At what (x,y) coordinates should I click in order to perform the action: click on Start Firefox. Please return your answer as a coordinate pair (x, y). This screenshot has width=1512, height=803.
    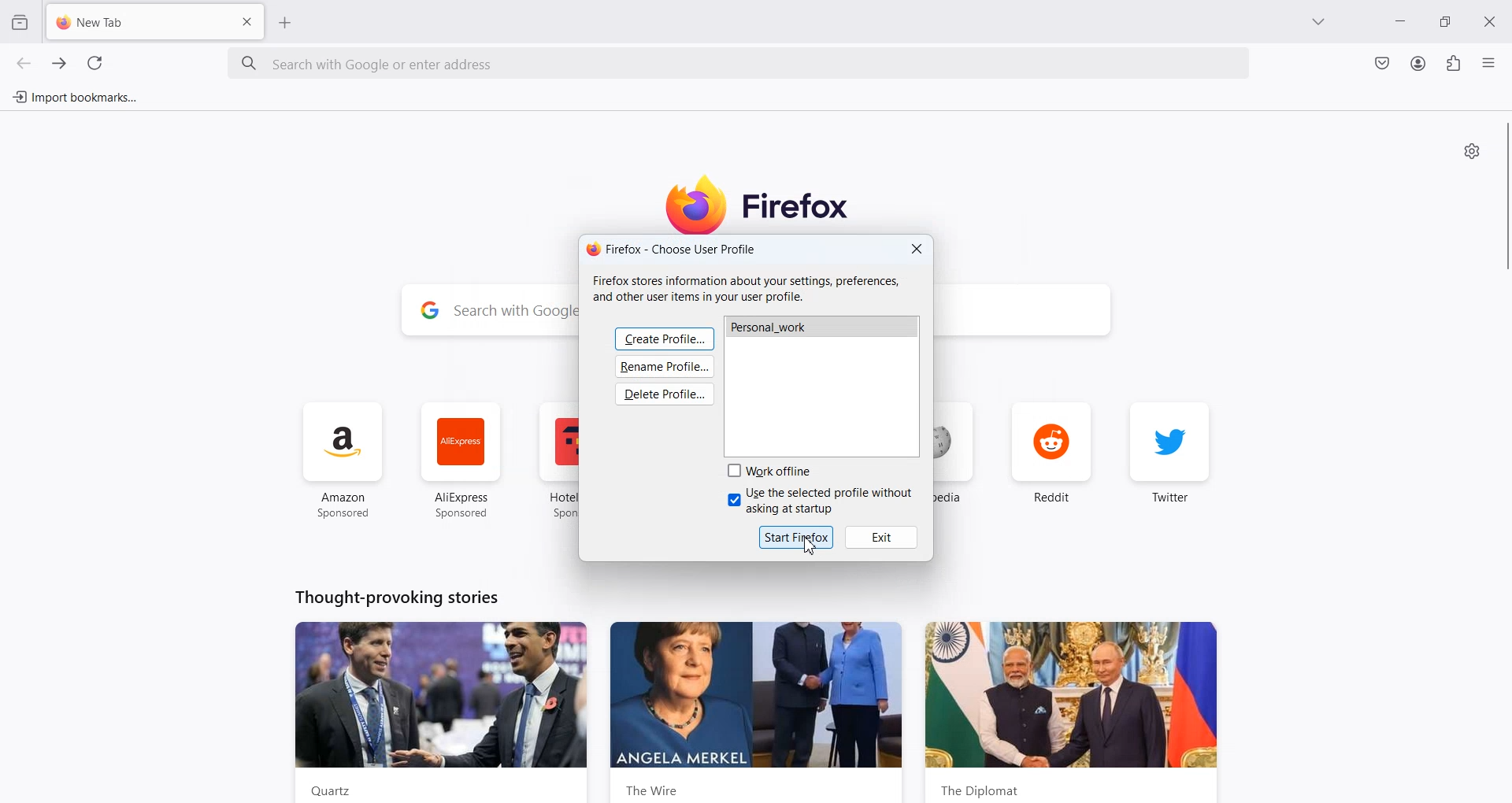
    Looking at the image, I should click on (797, 536).